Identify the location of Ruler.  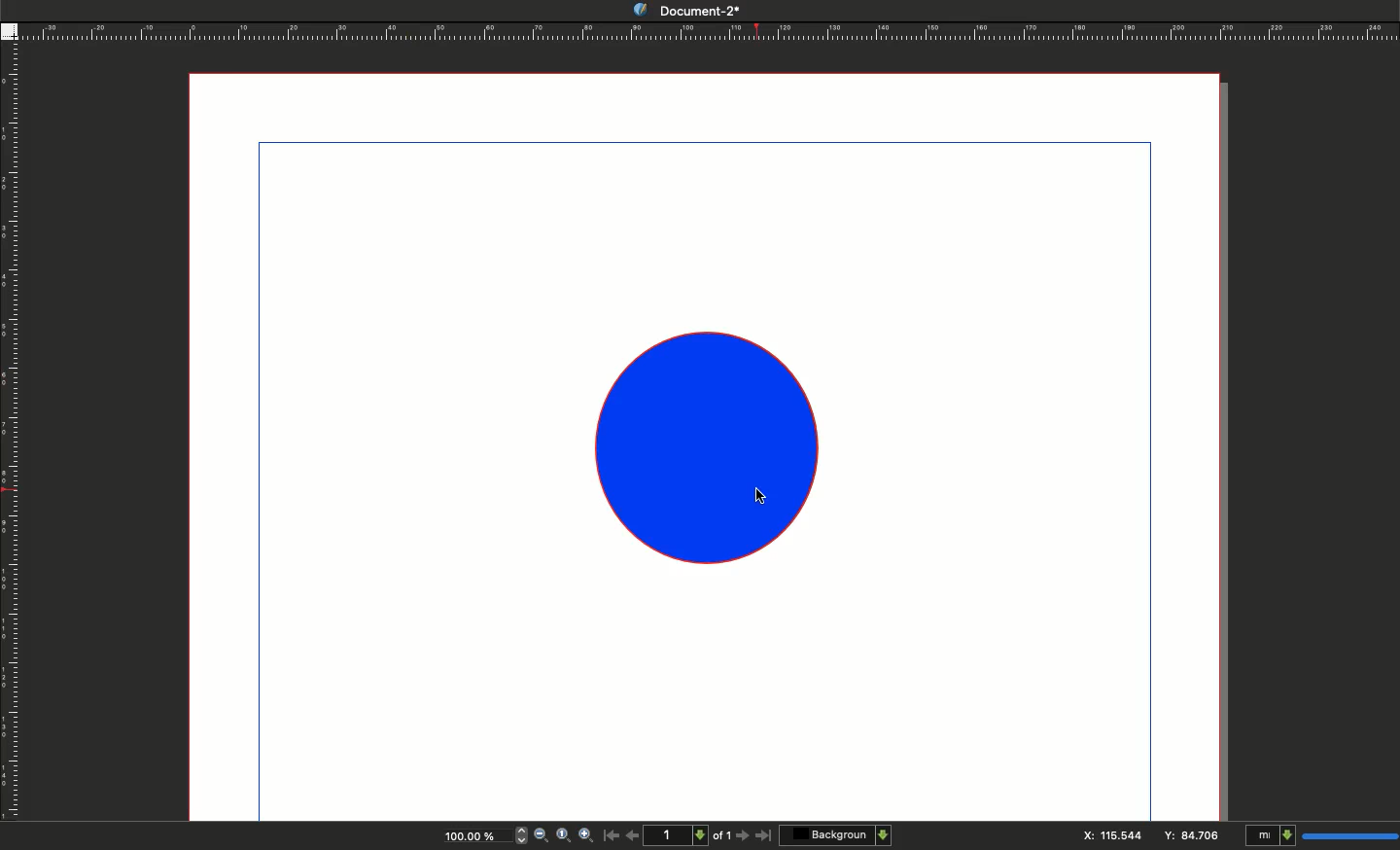
(709, 32).